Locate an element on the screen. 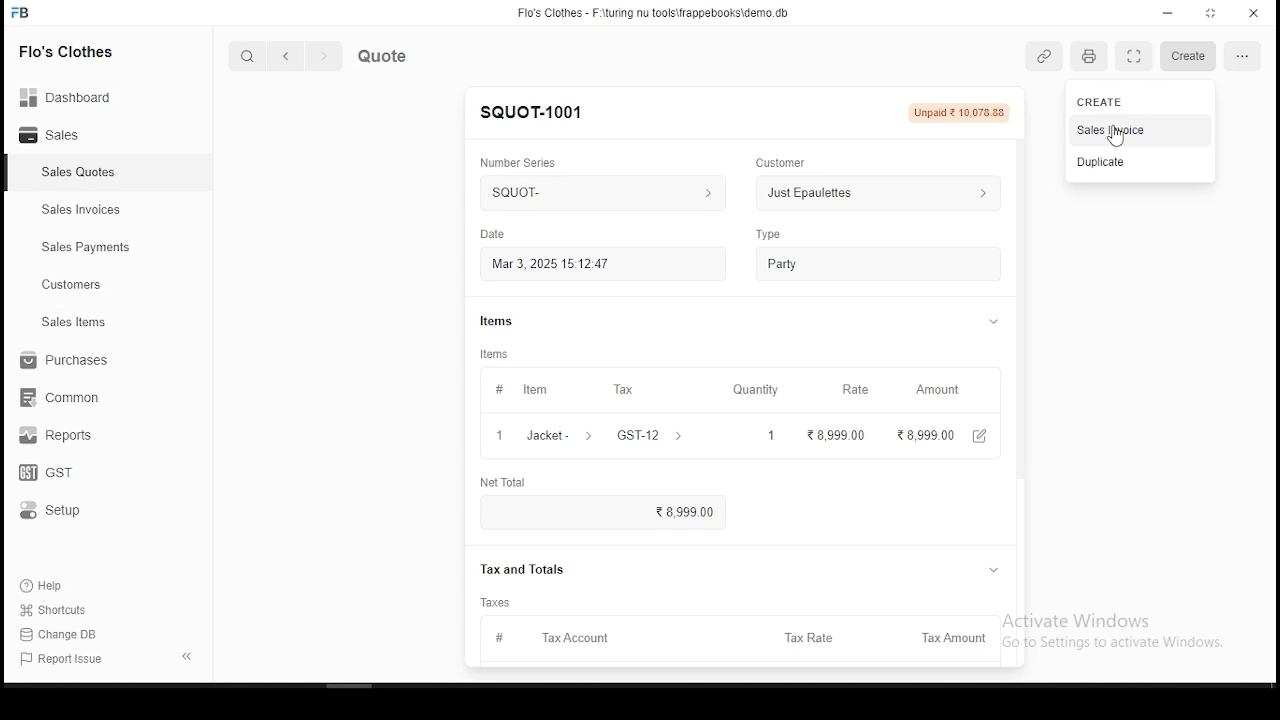 Image resolution: width=1280 pixels, height=720 pixels. 8,999.00 is located at coordinates (605, 514).